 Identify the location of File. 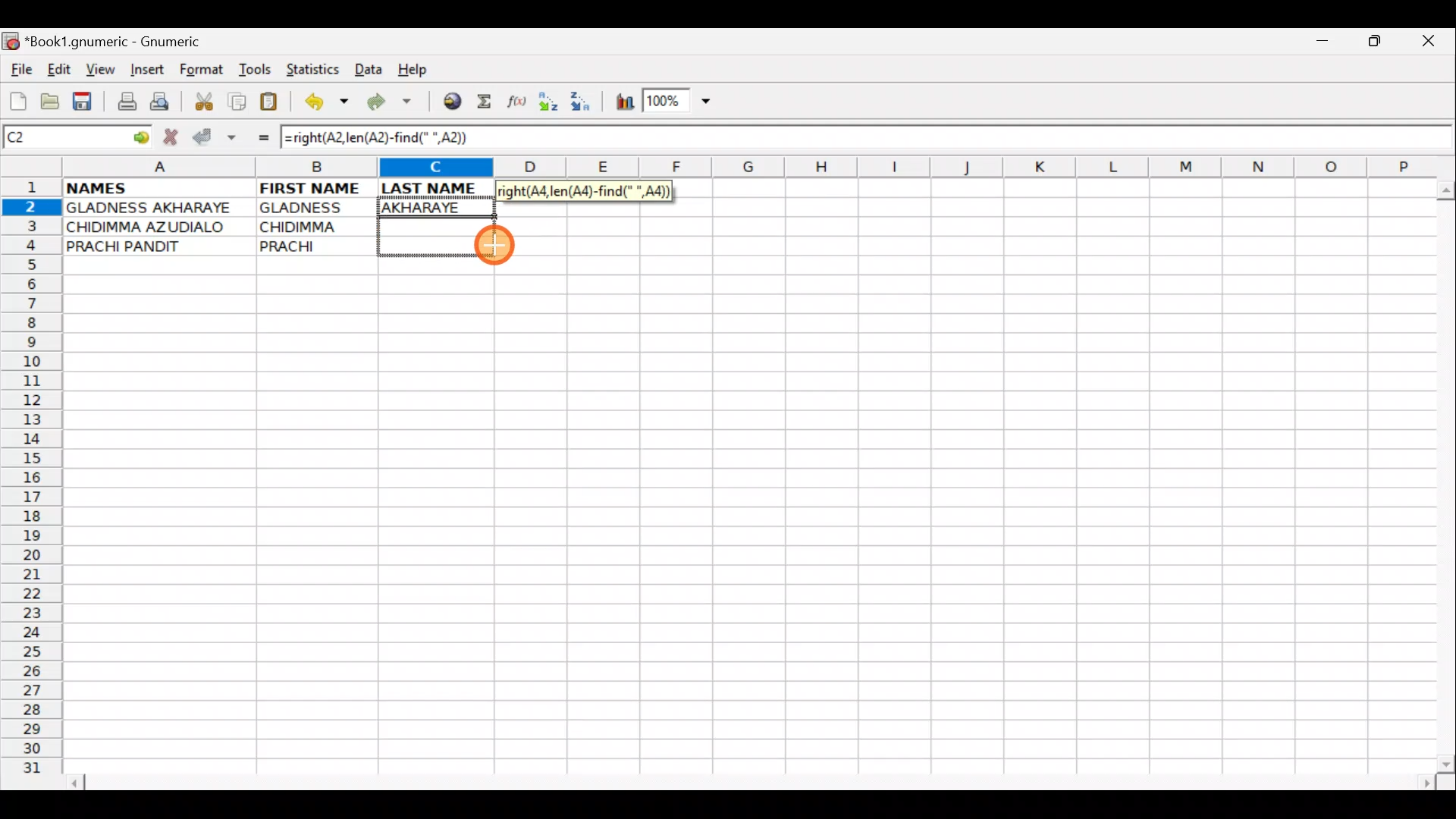
(20, 71).